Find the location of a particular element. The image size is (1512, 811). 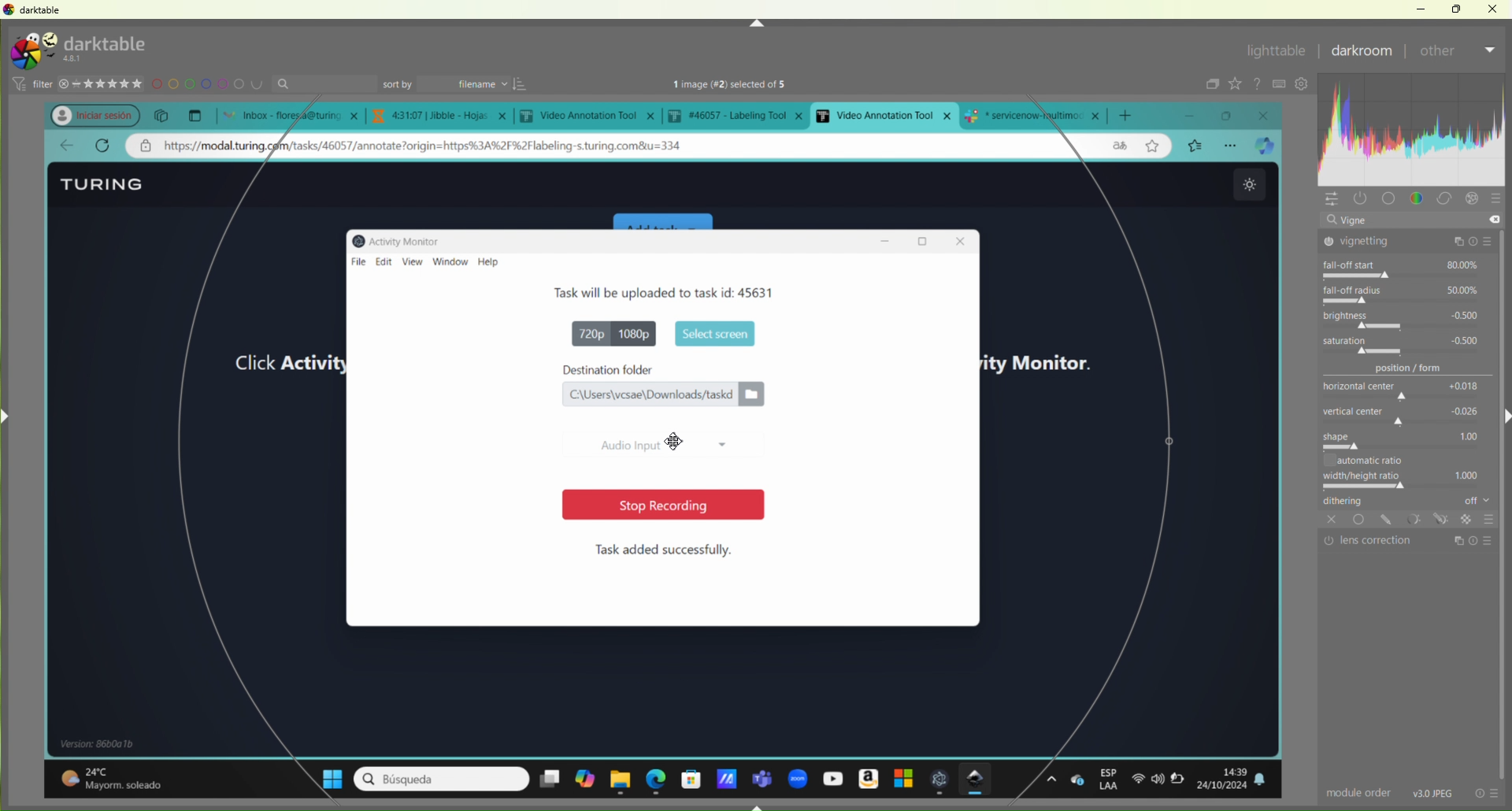

wifi is located at coordinates (1136, 783).